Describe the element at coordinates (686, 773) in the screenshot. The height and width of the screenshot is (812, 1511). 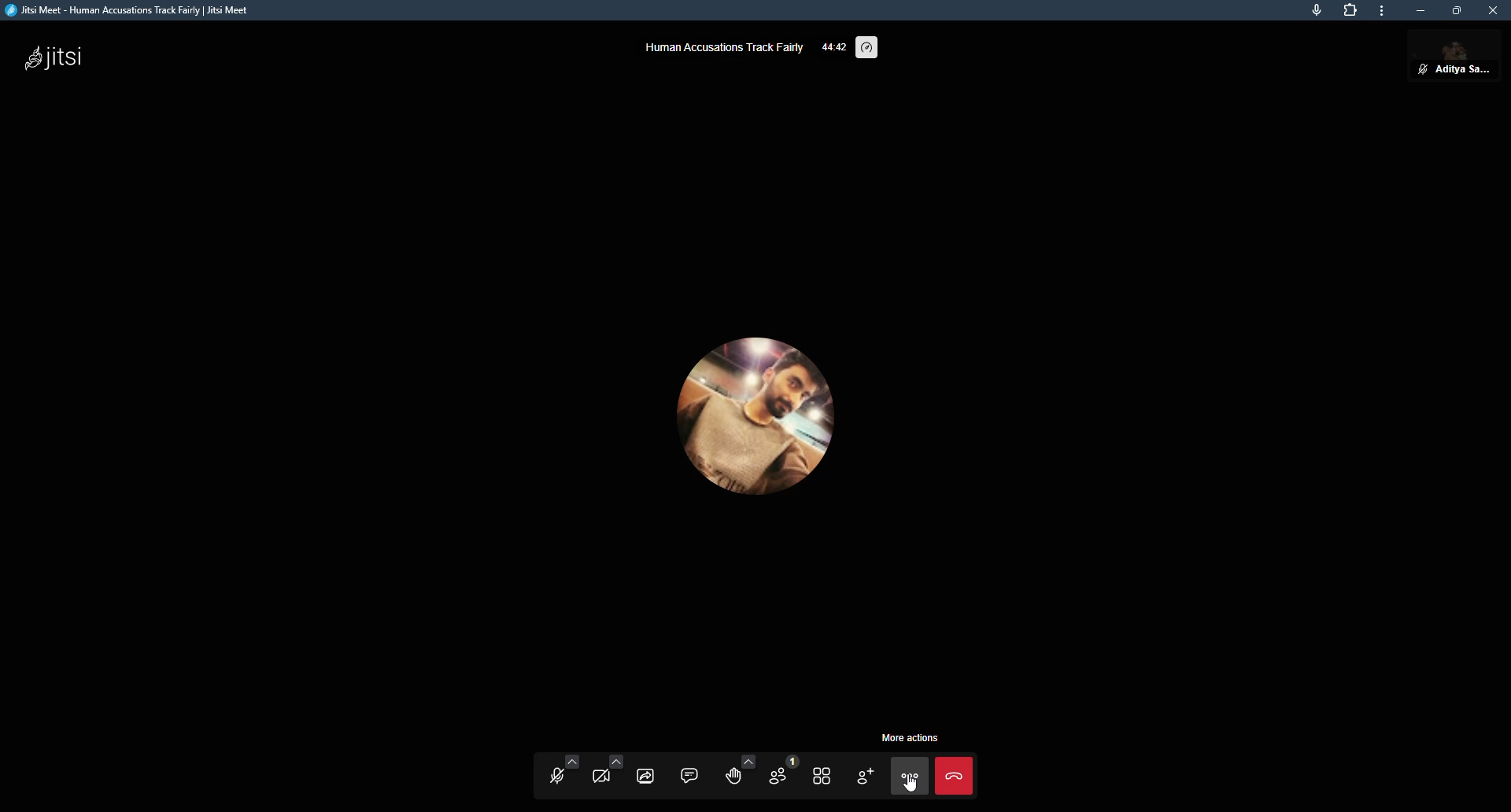
I see `chat` at that location.